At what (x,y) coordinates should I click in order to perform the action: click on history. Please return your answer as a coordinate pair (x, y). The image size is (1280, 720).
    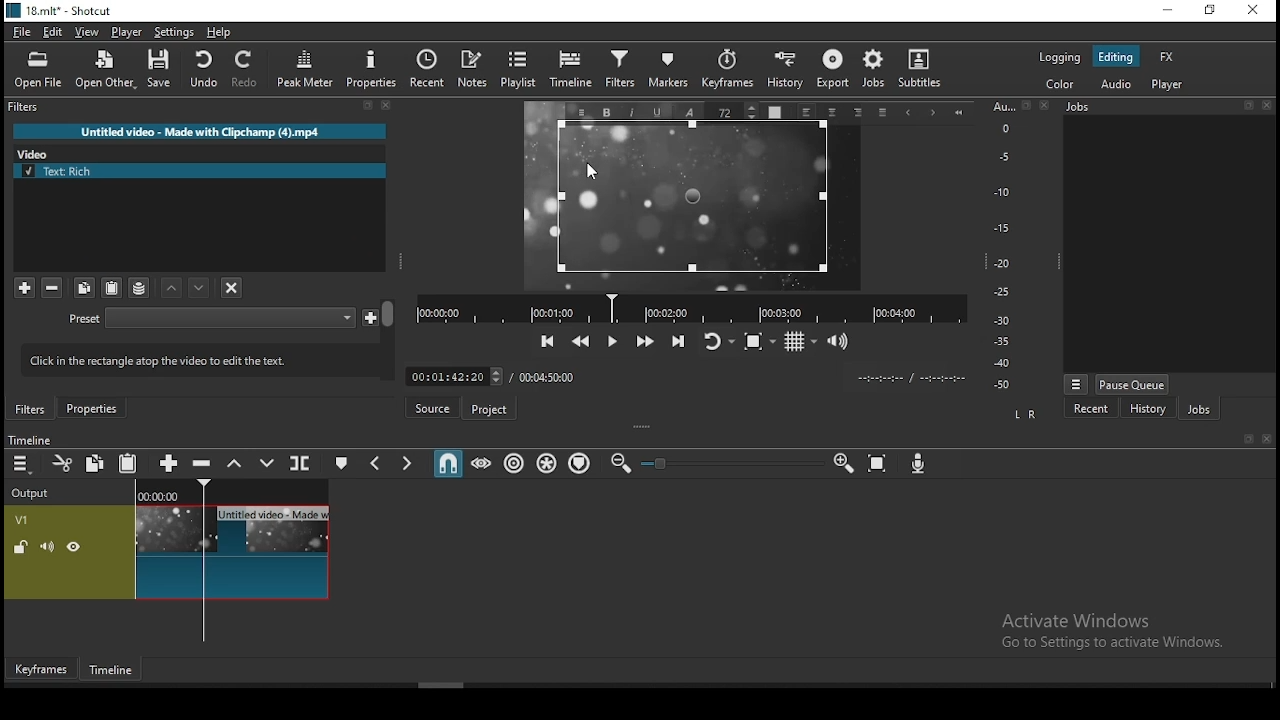
    Looking at the image, I should click on (1147, 408).